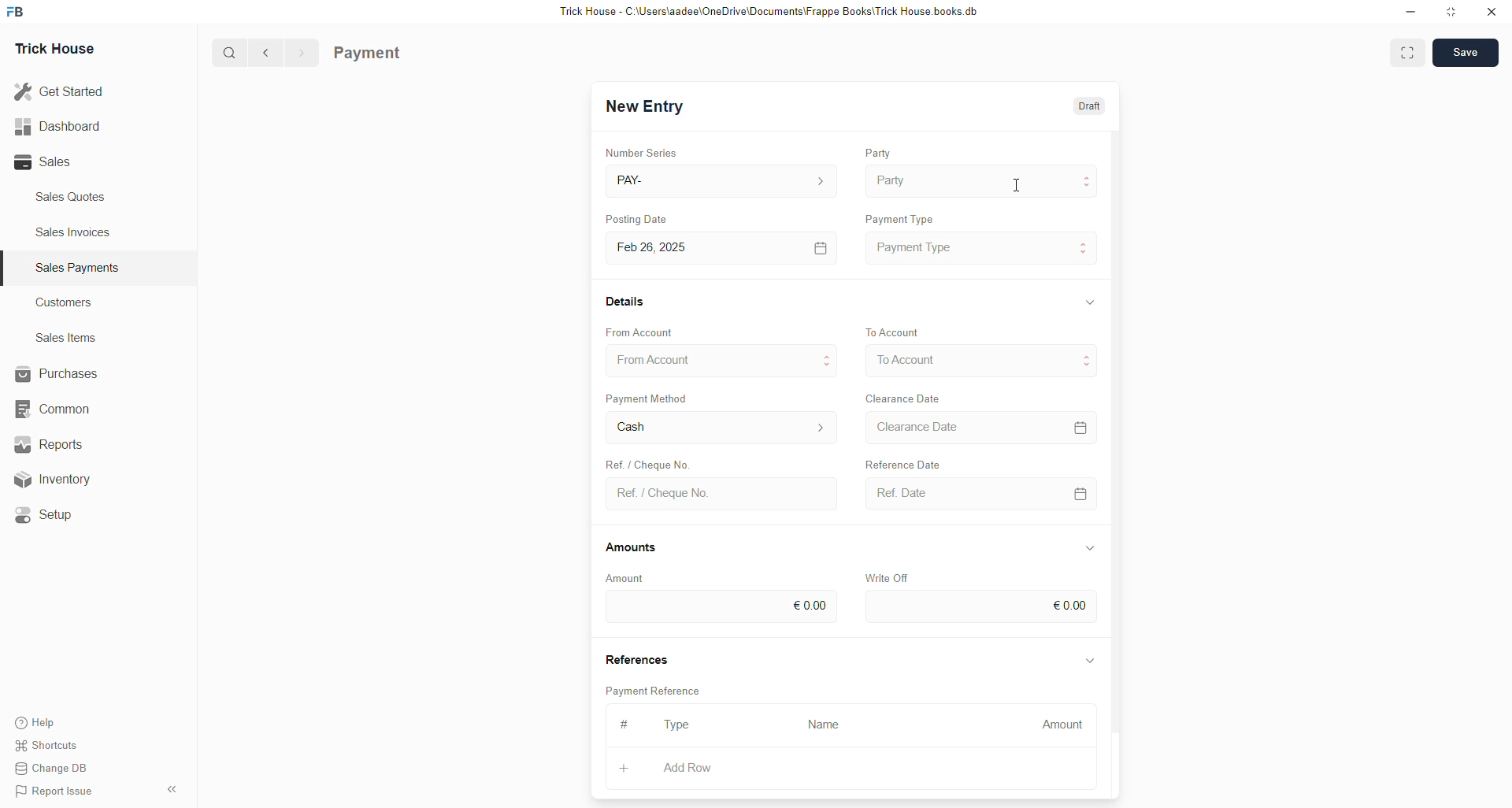 This screenshot has height=808, width=1512. What do you see at coordinates (57, 129) in the screenshot?
I see `Dashboard` at bounding box center [57, 129].